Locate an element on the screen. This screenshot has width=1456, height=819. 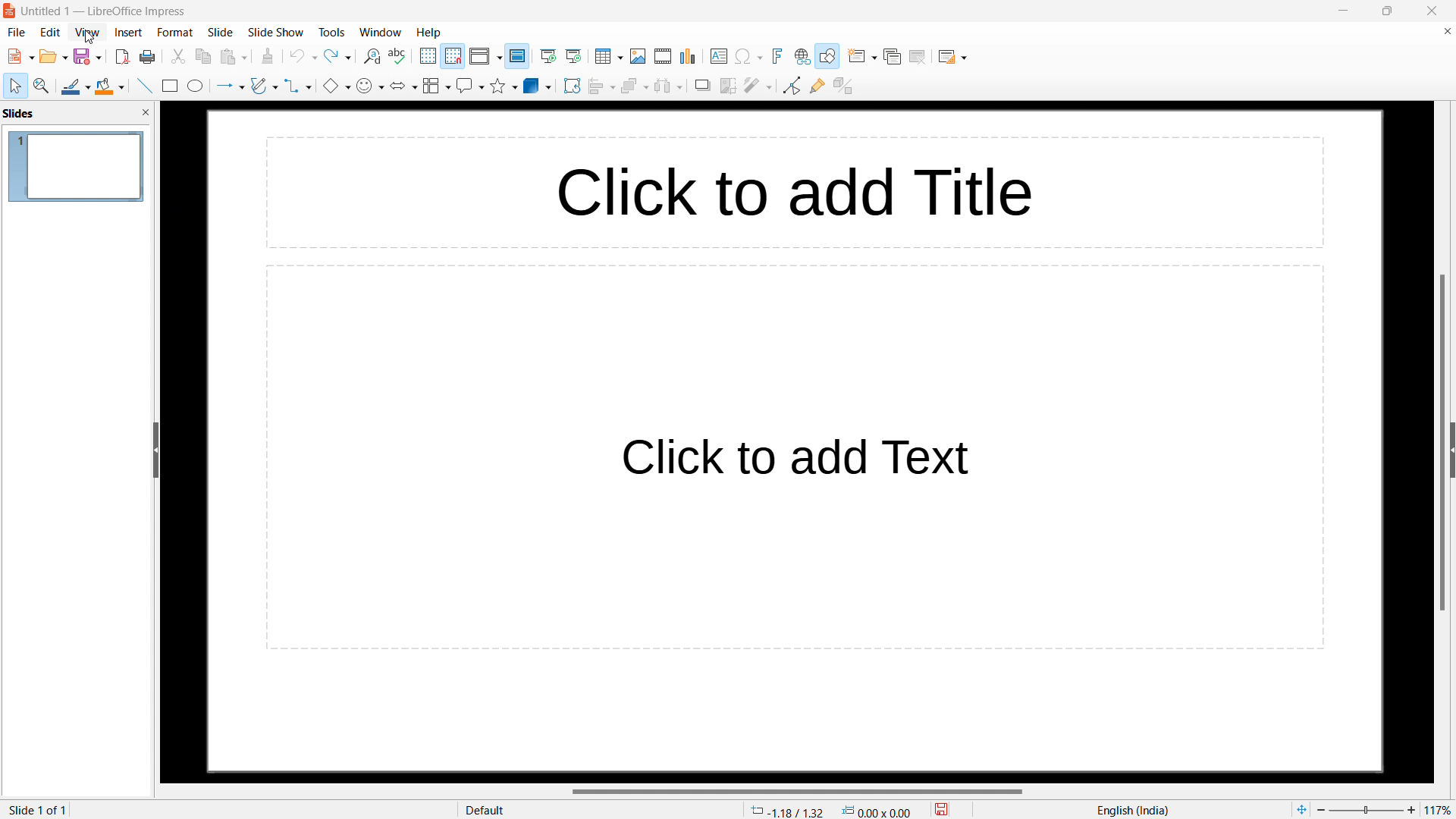
master slide is located at coordinates (518, 56).